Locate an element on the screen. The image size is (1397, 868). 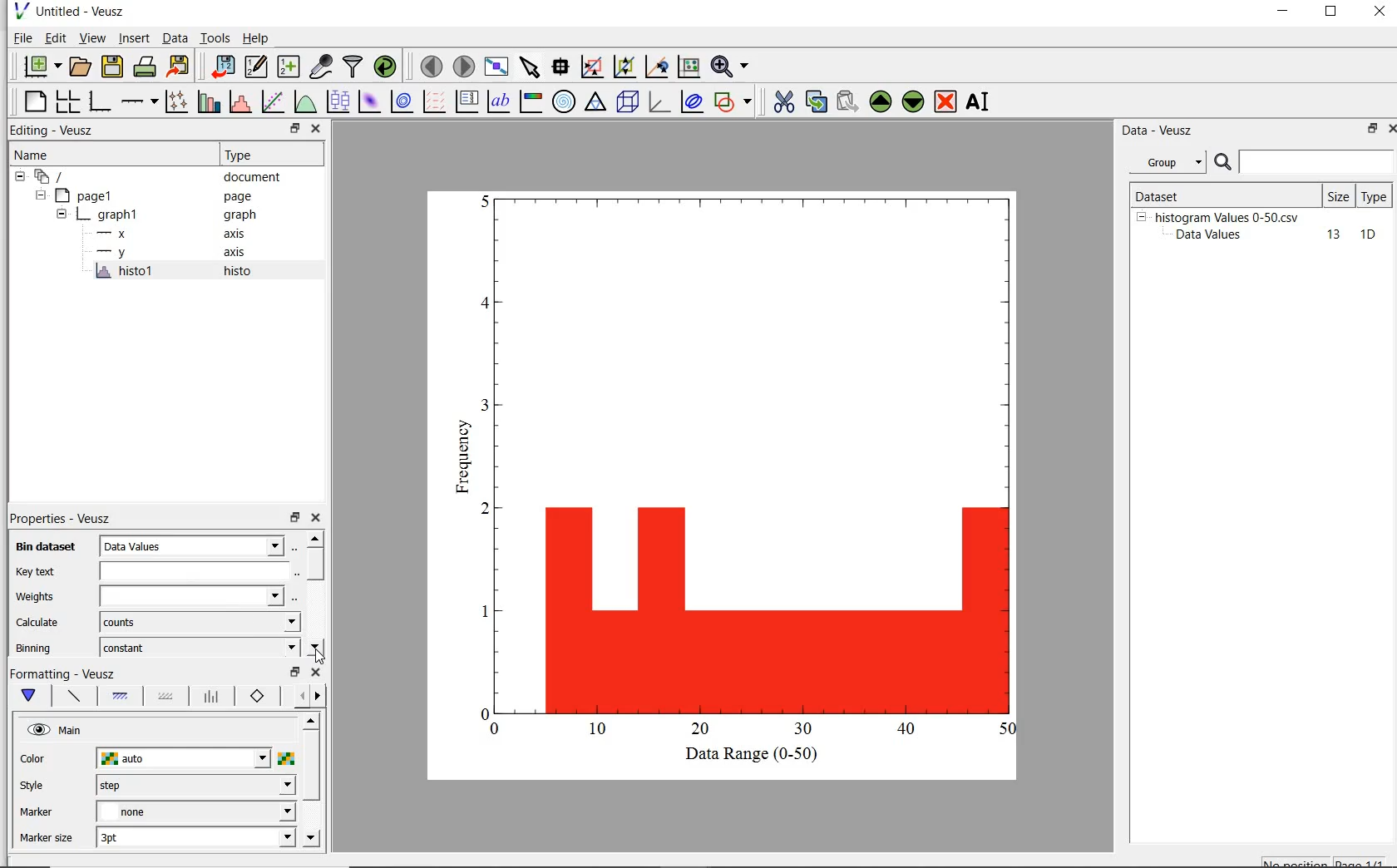
editing-veusz is located at coordinates (52, 131).